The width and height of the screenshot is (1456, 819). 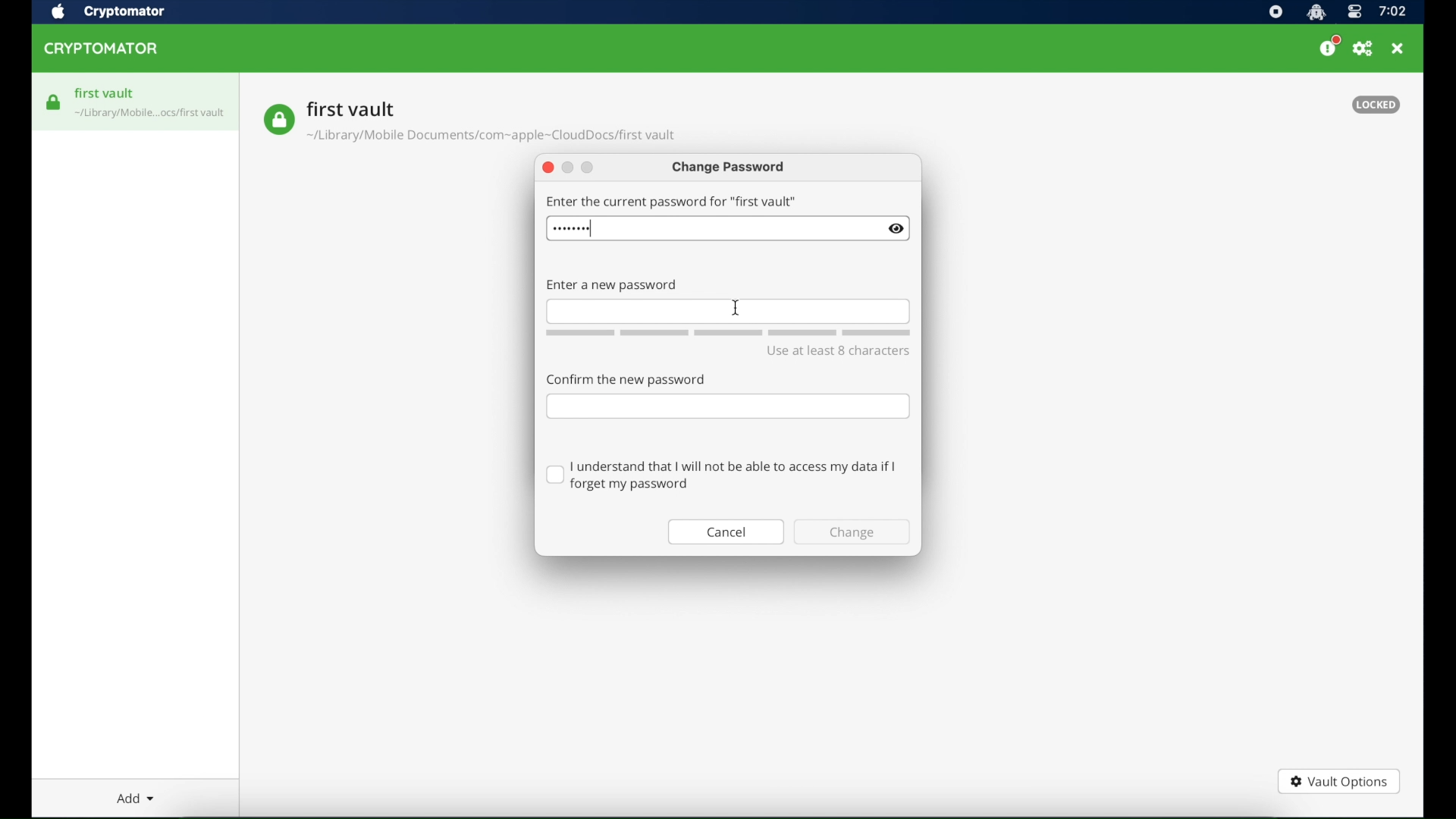 What do you see at coordinates (611, 286) in the screenshot?
I see `enter new password ` at bounding box center [611, 286].